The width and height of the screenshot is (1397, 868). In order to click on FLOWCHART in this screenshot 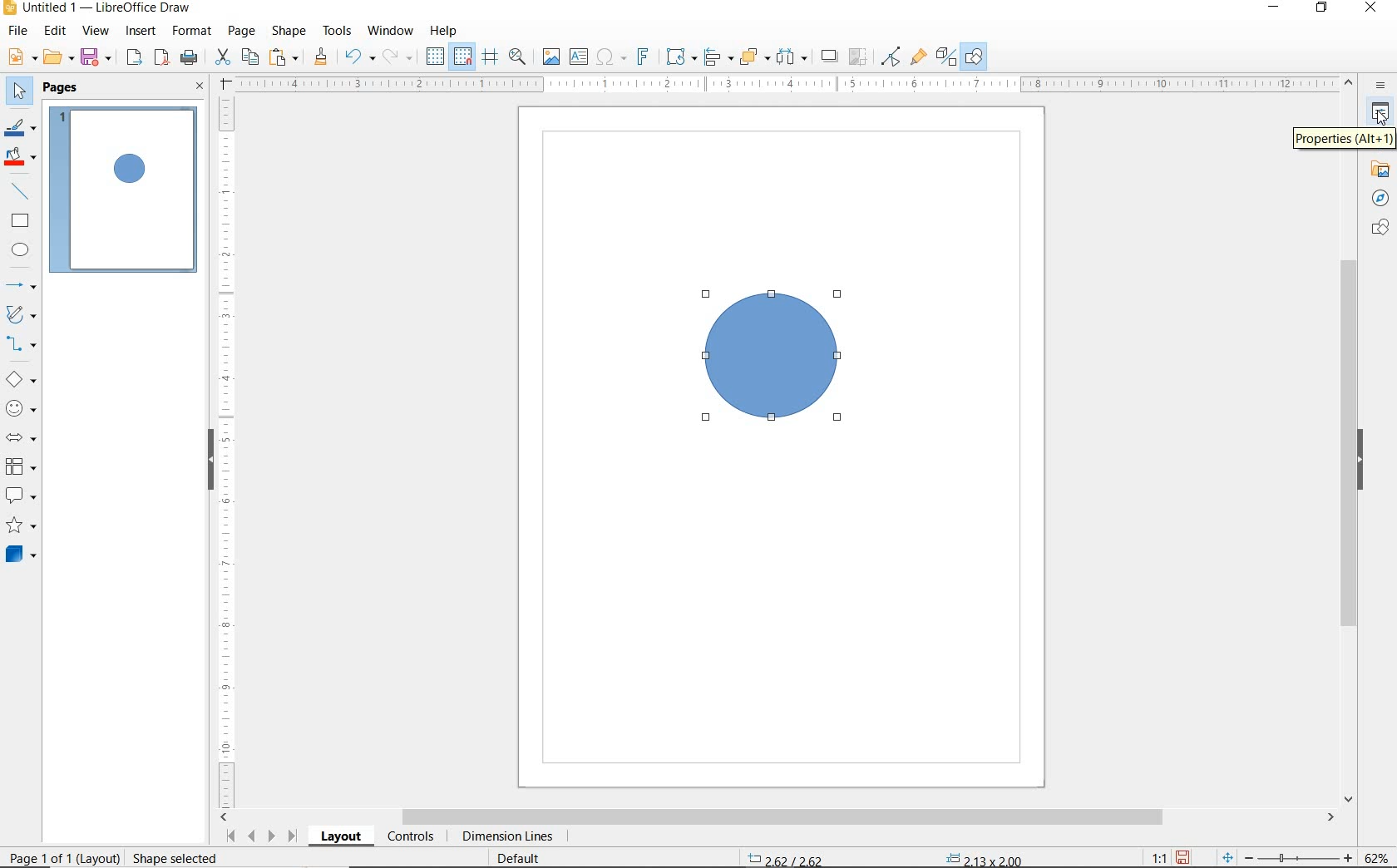, I will do `click(20, 467)`.